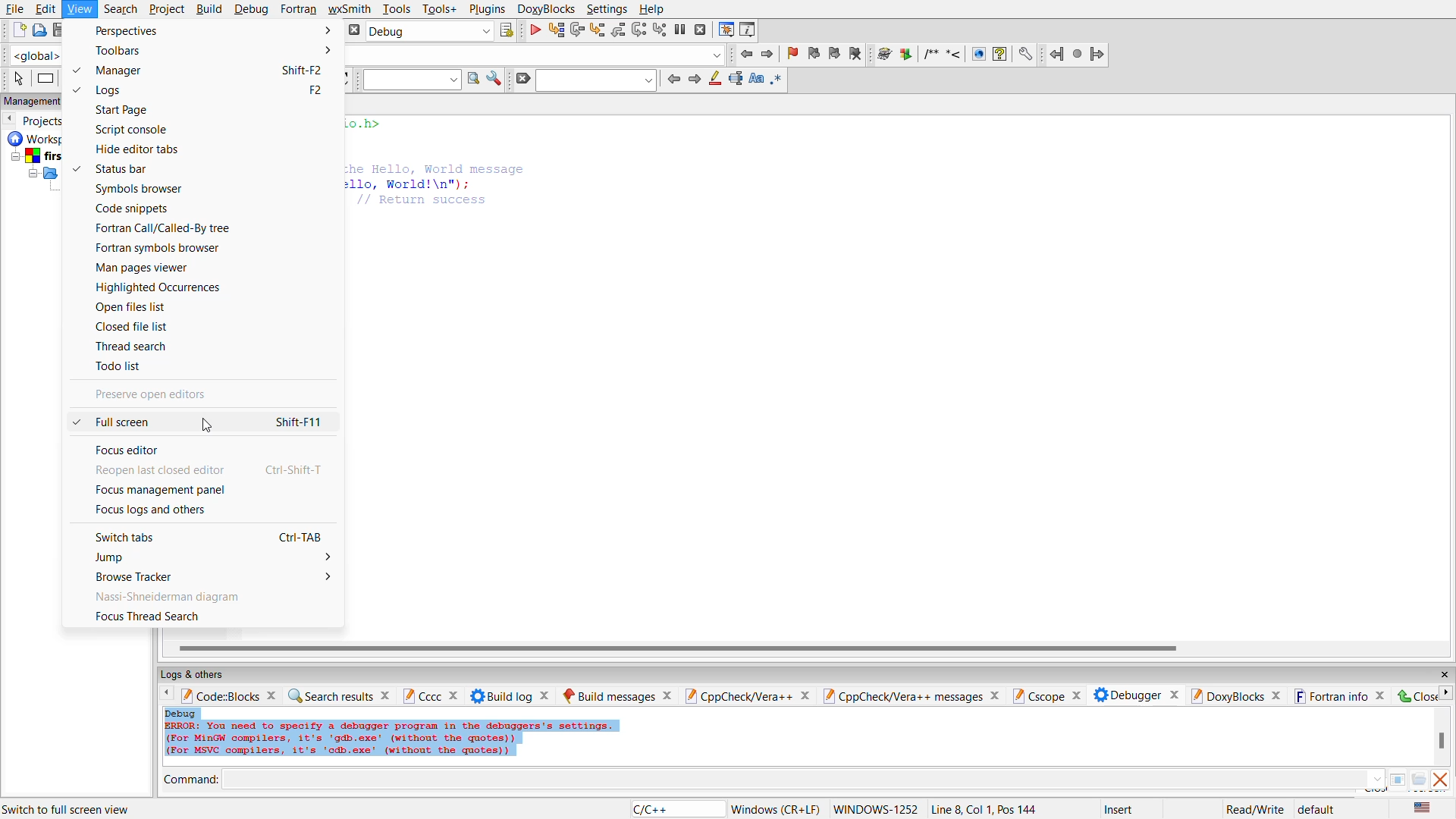  I want to click on vertical scroll bar, so click(1442, 741).